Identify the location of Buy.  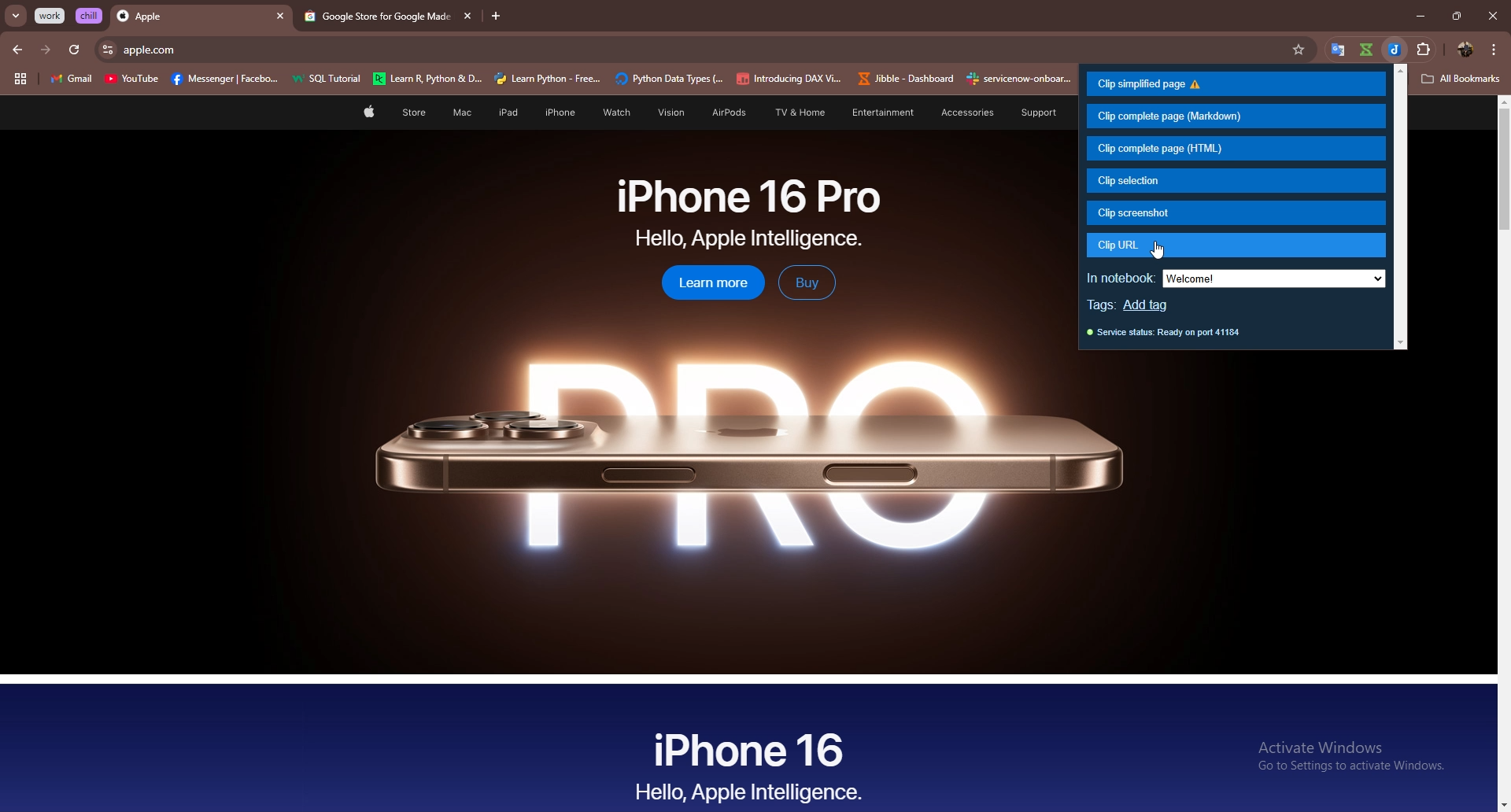
(807, 282).